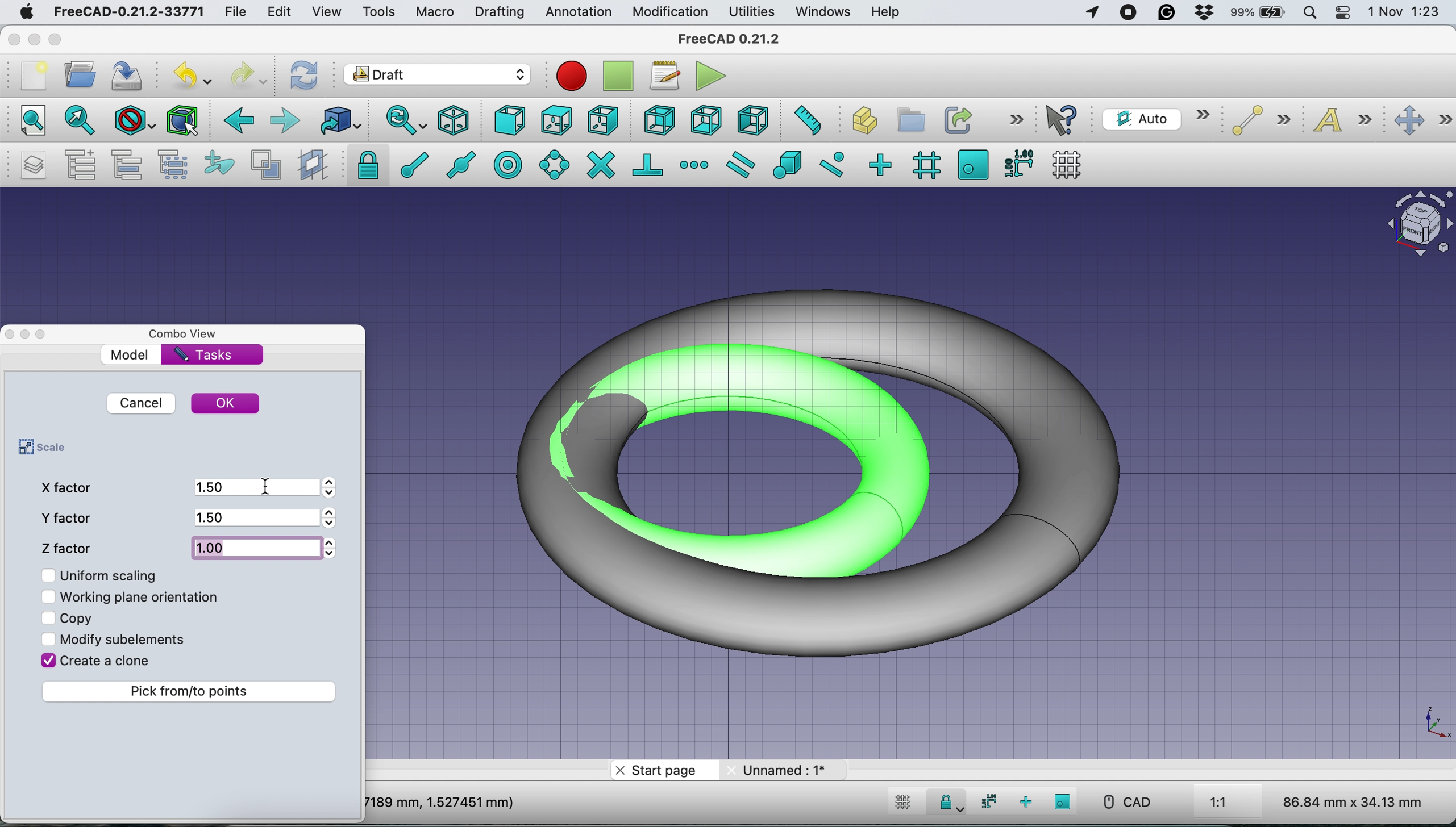  Describe the element at coordinates (190, 335) in the screenshot. I see `combo view` at that location.